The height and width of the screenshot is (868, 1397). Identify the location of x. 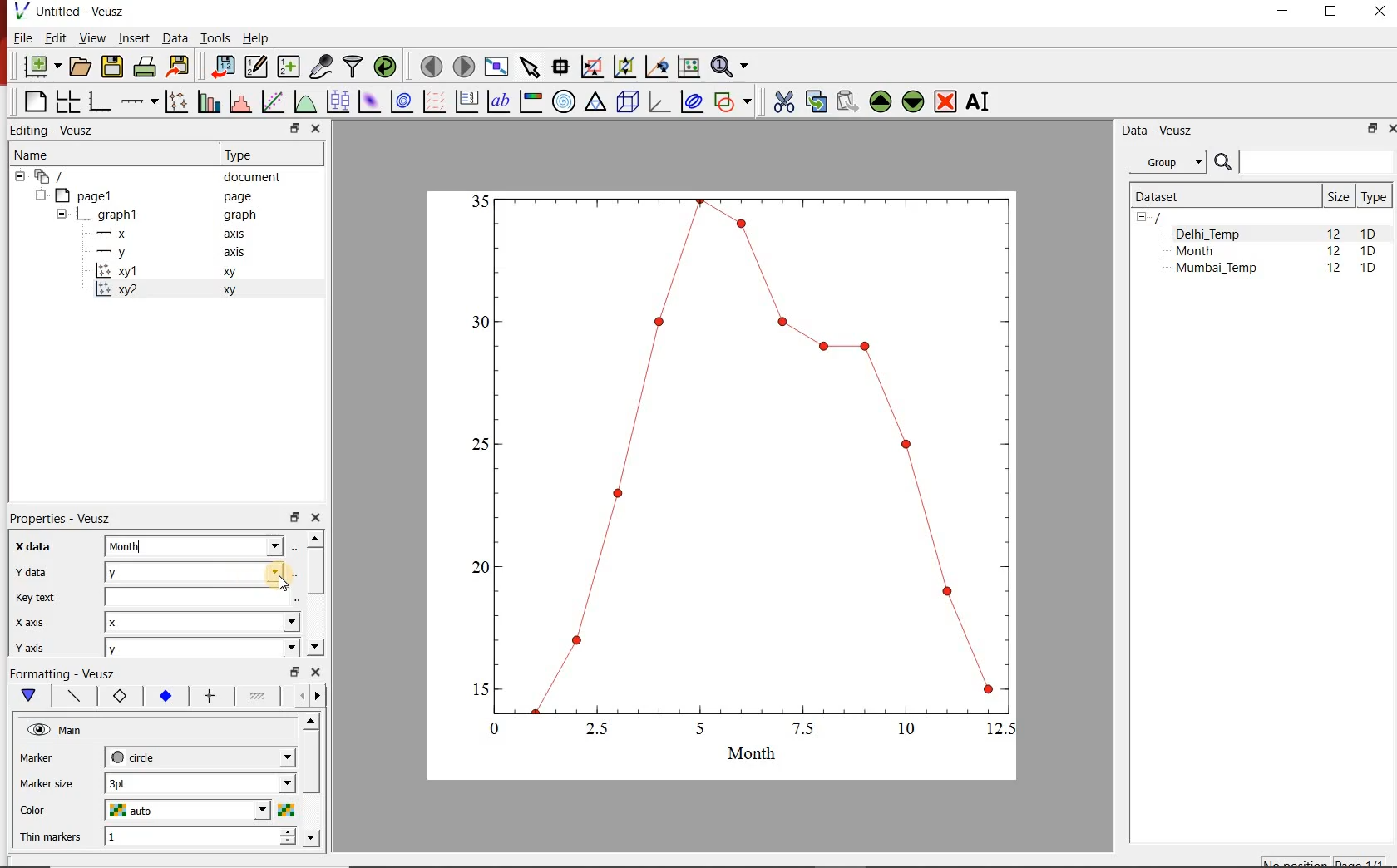
(203, 621).